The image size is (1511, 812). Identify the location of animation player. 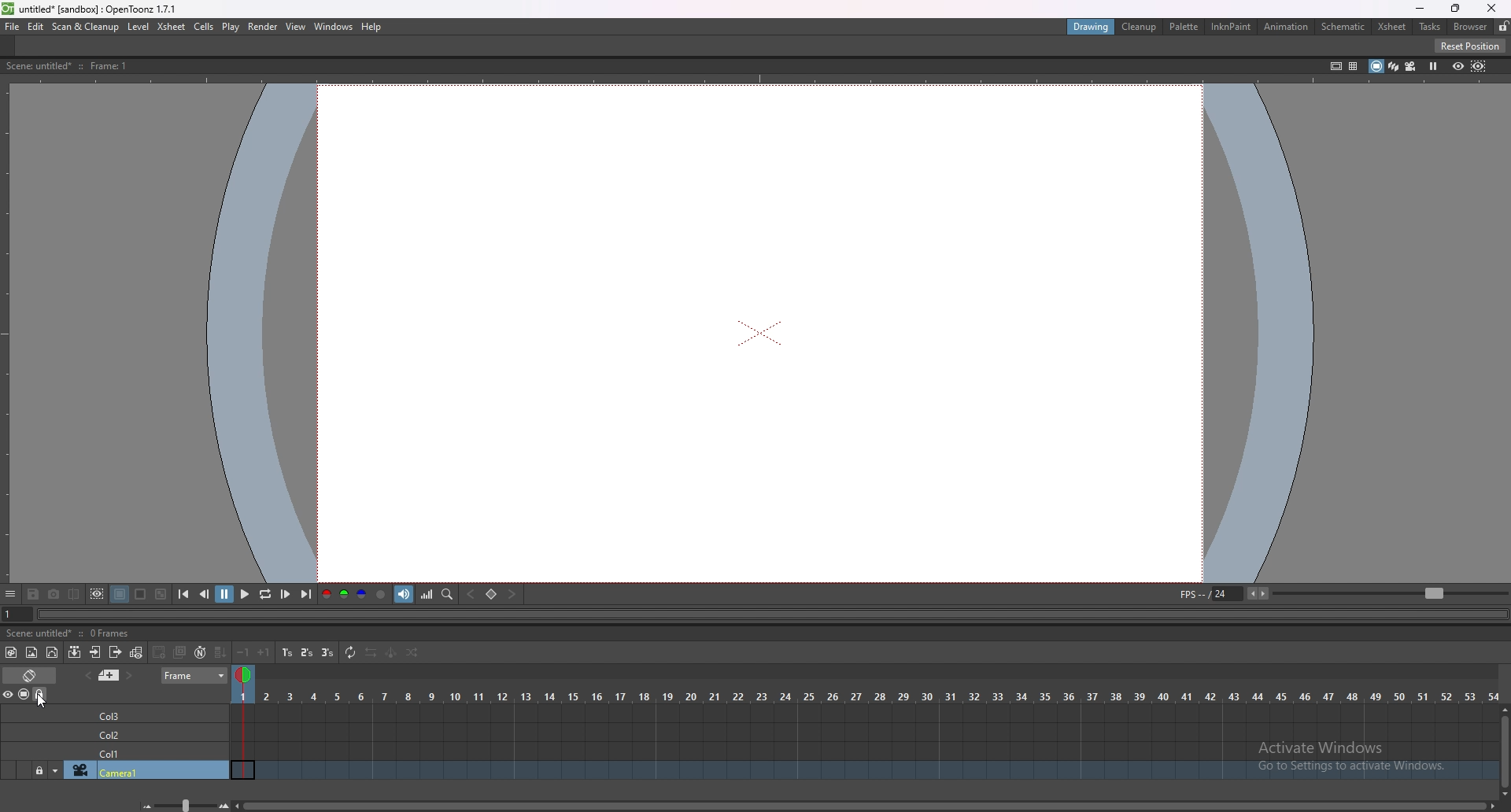
(761, 615).